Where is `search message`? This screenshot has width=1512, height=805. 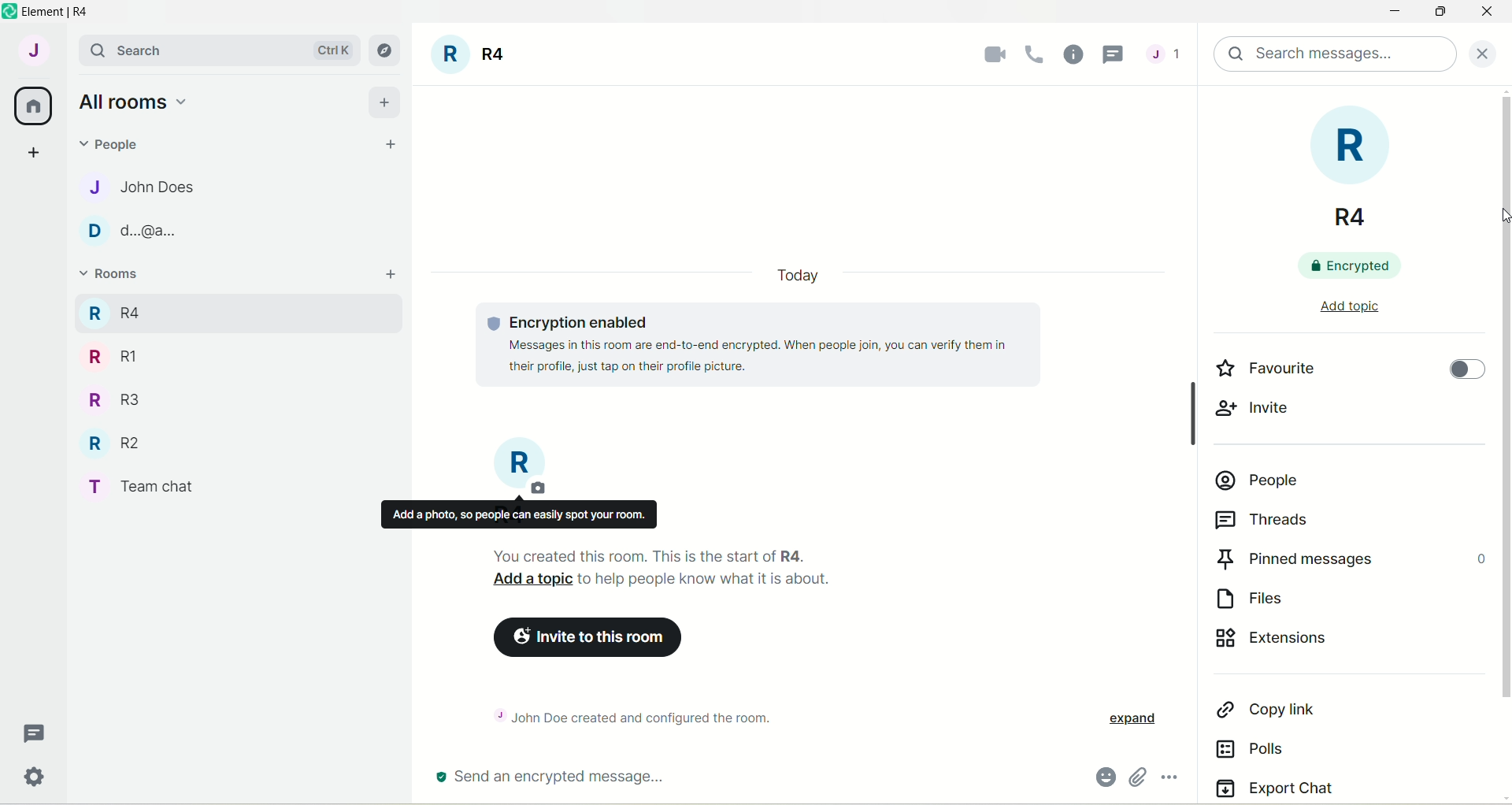
search message is located at coordinates (1336, 54).